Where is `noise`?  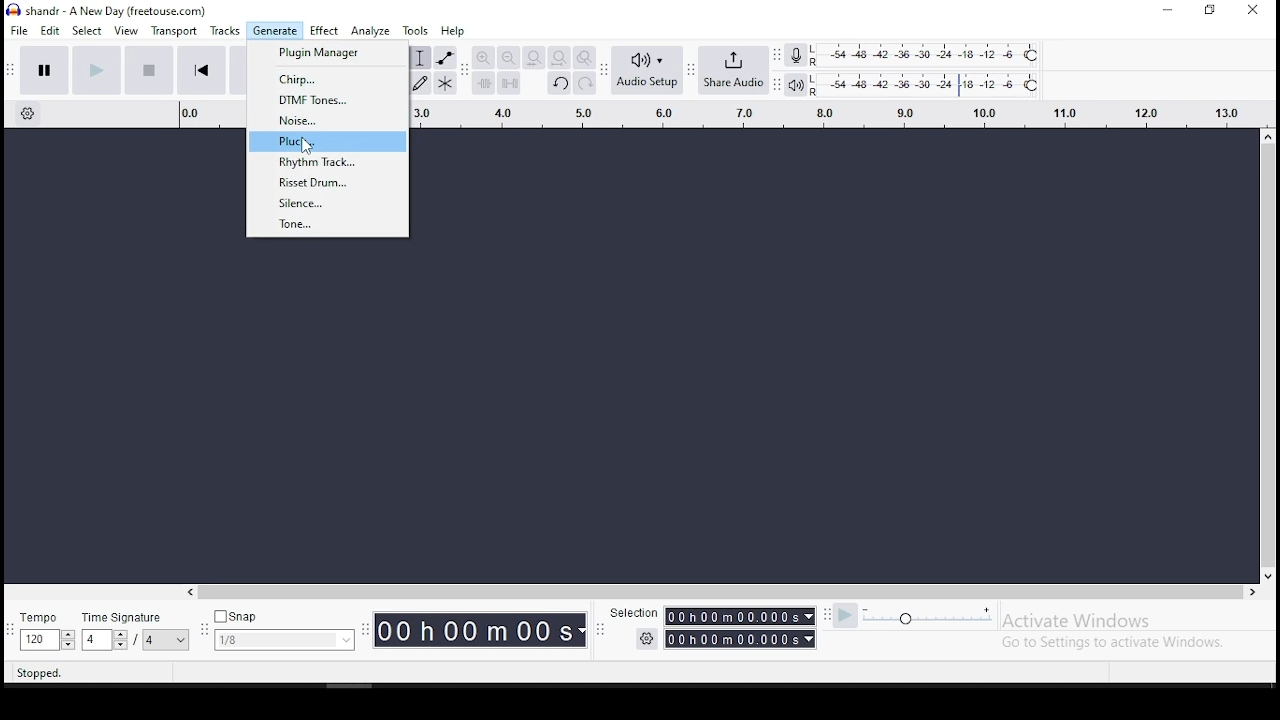
noise is located at coordinates (330, 120).